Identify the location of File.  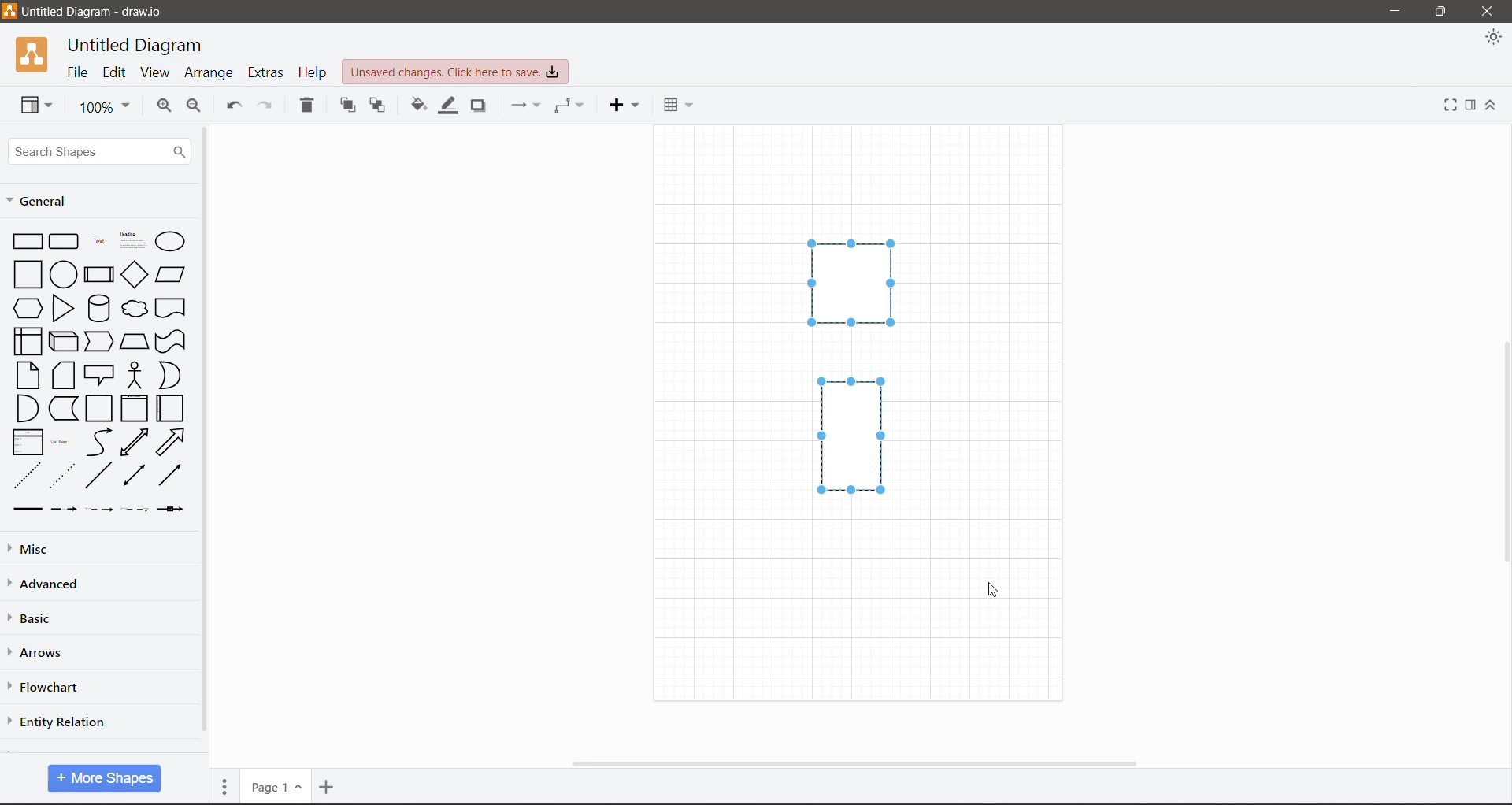
(78, 72).